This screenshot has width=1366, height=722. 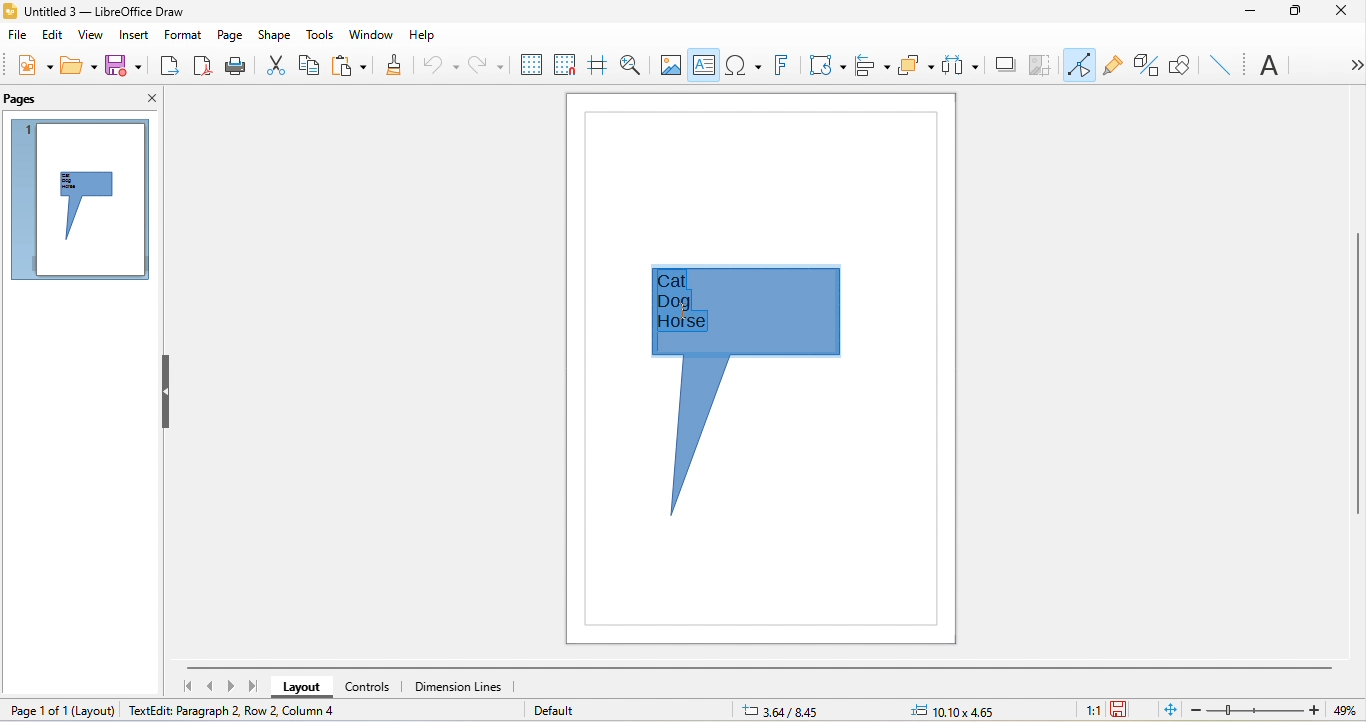 What do you see at coordinates (741, 64) in the screenshot?
I see `special character` at bounding box center [741, 64].